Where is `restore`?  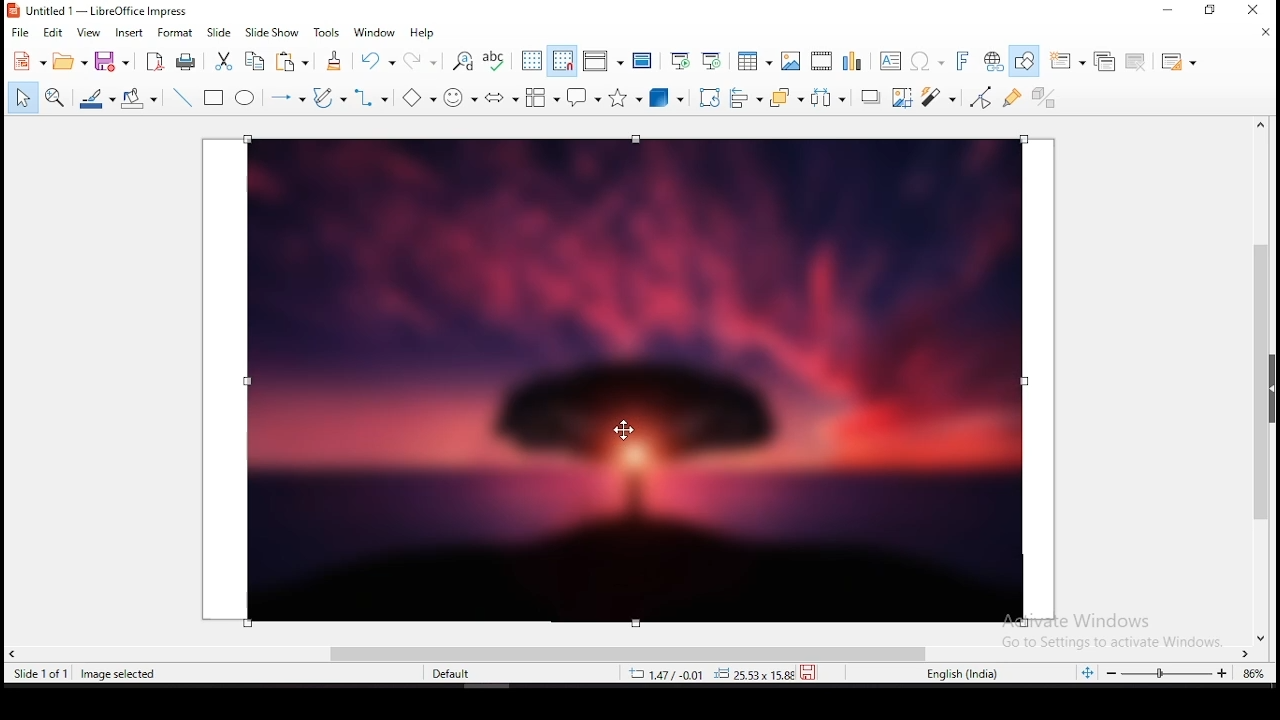 restore is located at coordinates (1212, 12).